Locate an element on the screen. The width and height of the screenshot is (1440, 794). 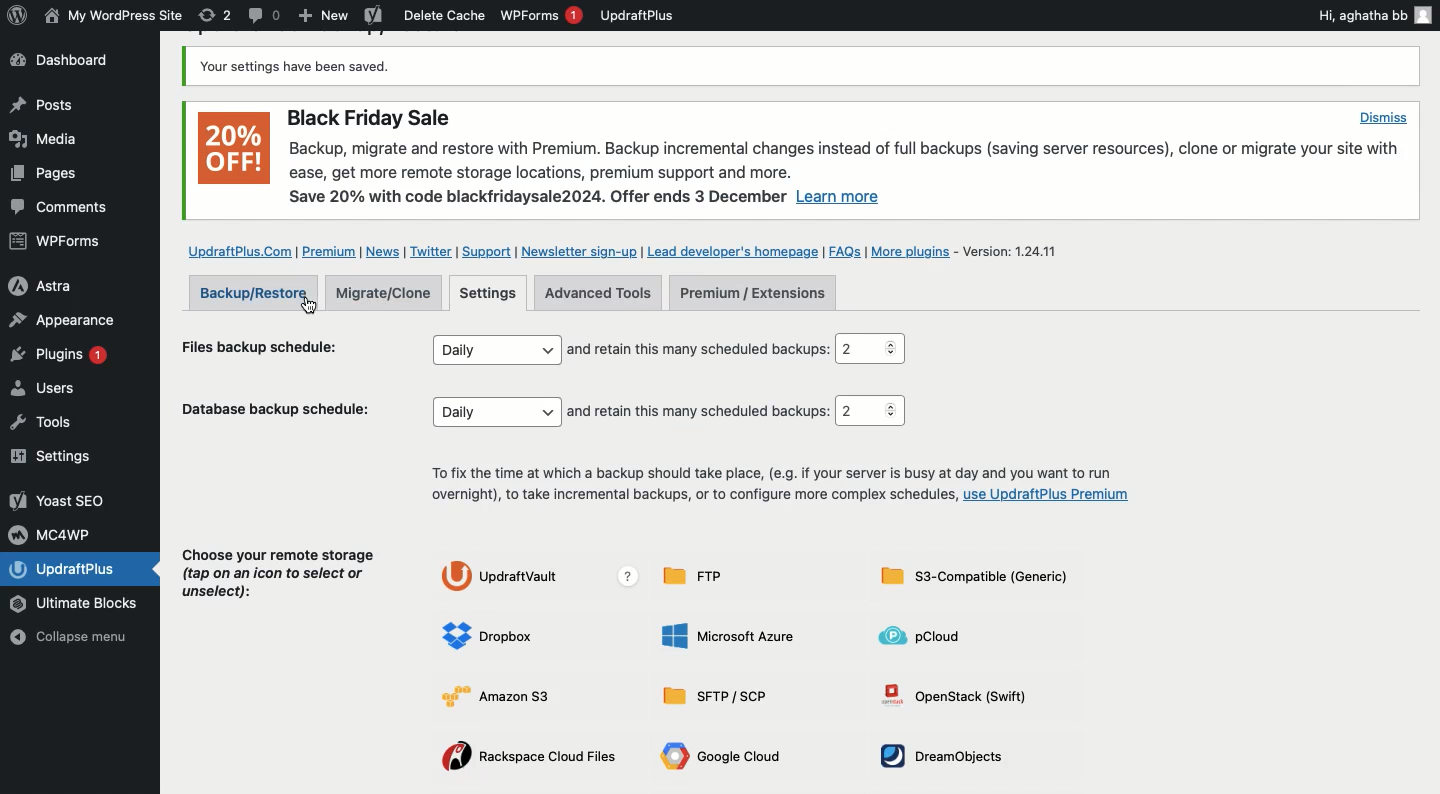
Appearance is located at coordinates (62, 319).